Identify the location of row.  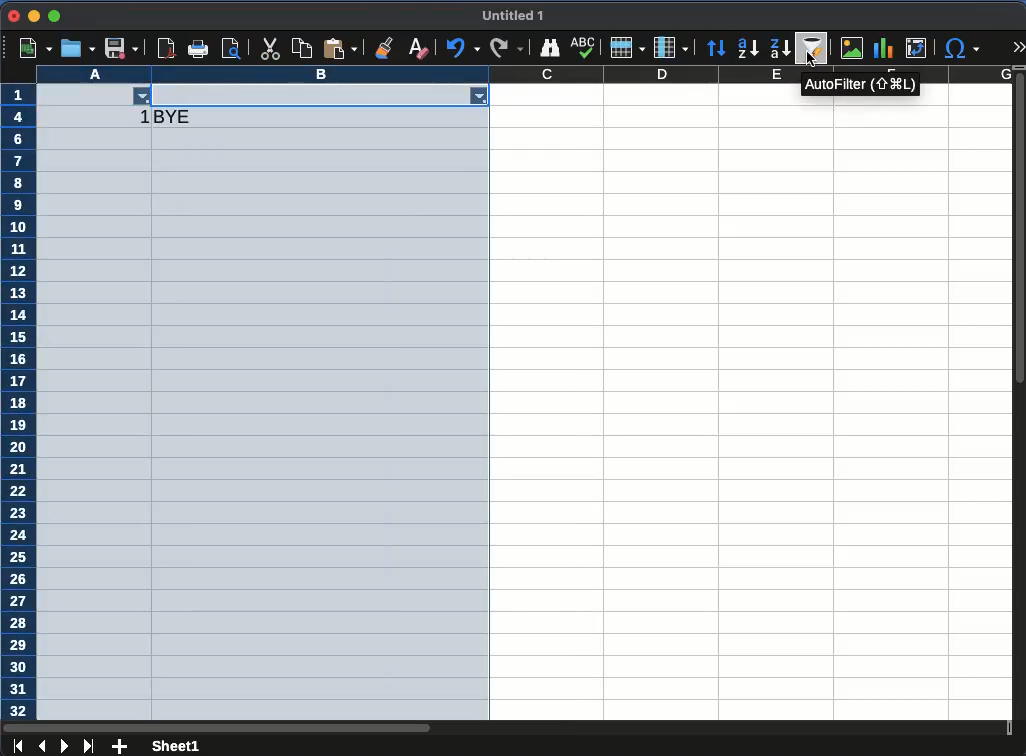
(624, 48).